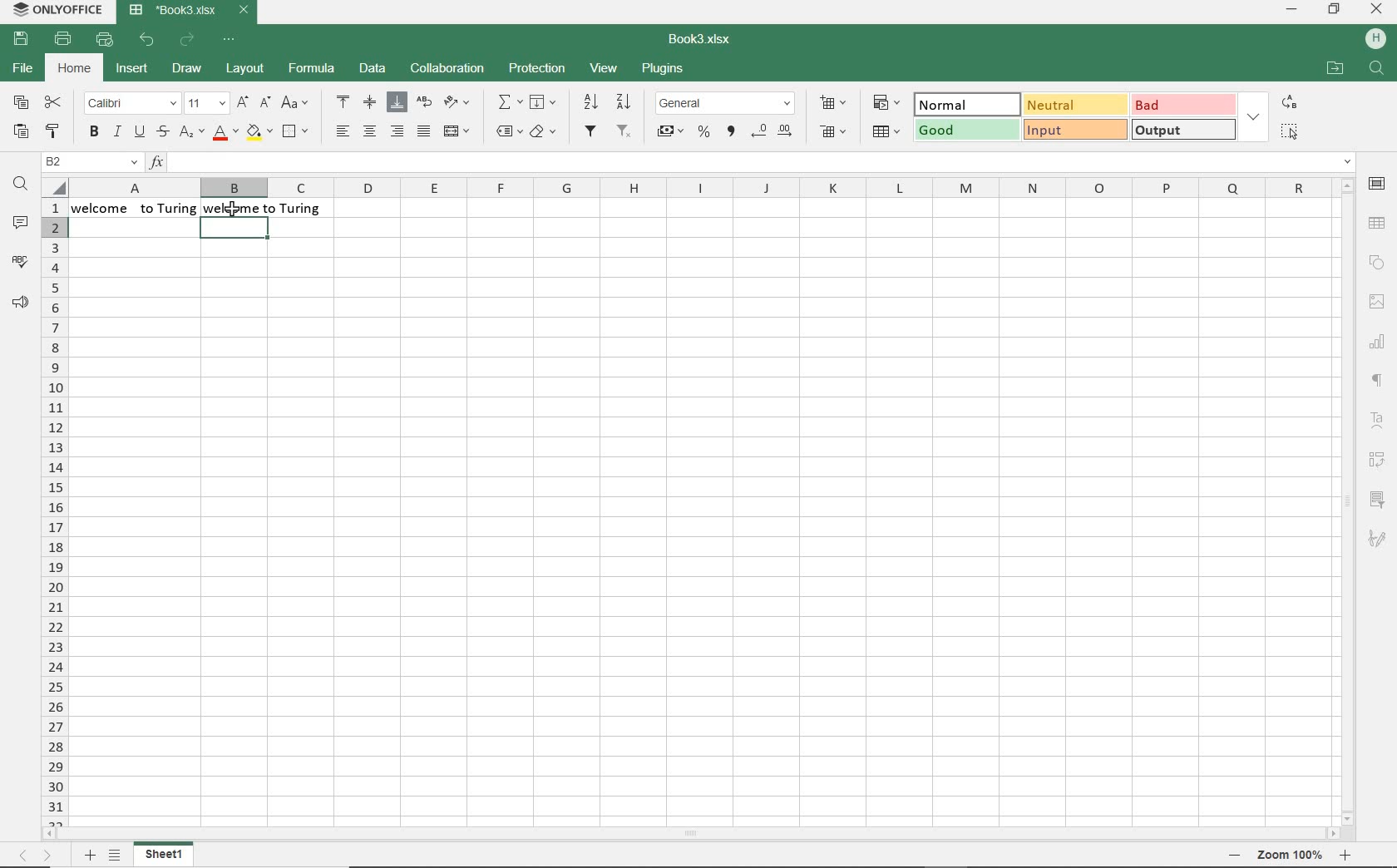  What do you see at coordinates (591, 102) in the screenshot?
I see `sort ascending` at bounding box center [591, 102].